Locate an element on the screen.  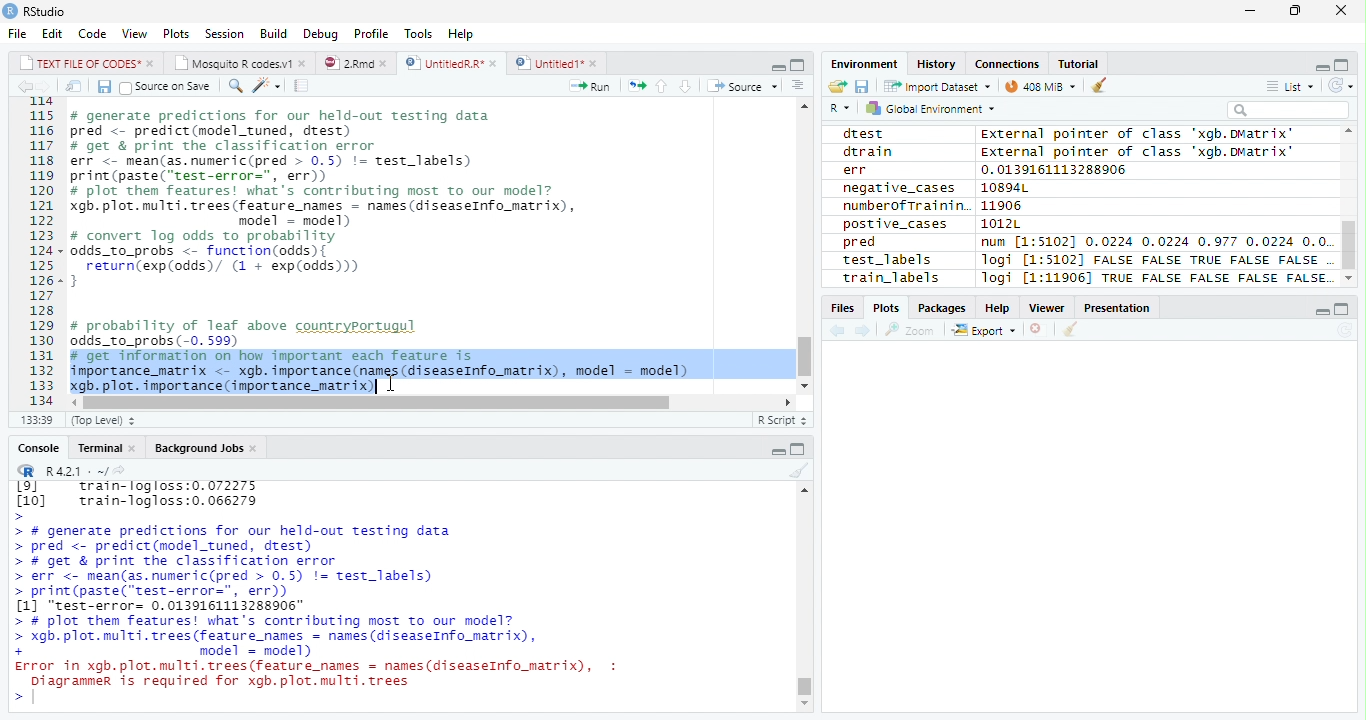
postive_cases is located at coordinates (894, 224).